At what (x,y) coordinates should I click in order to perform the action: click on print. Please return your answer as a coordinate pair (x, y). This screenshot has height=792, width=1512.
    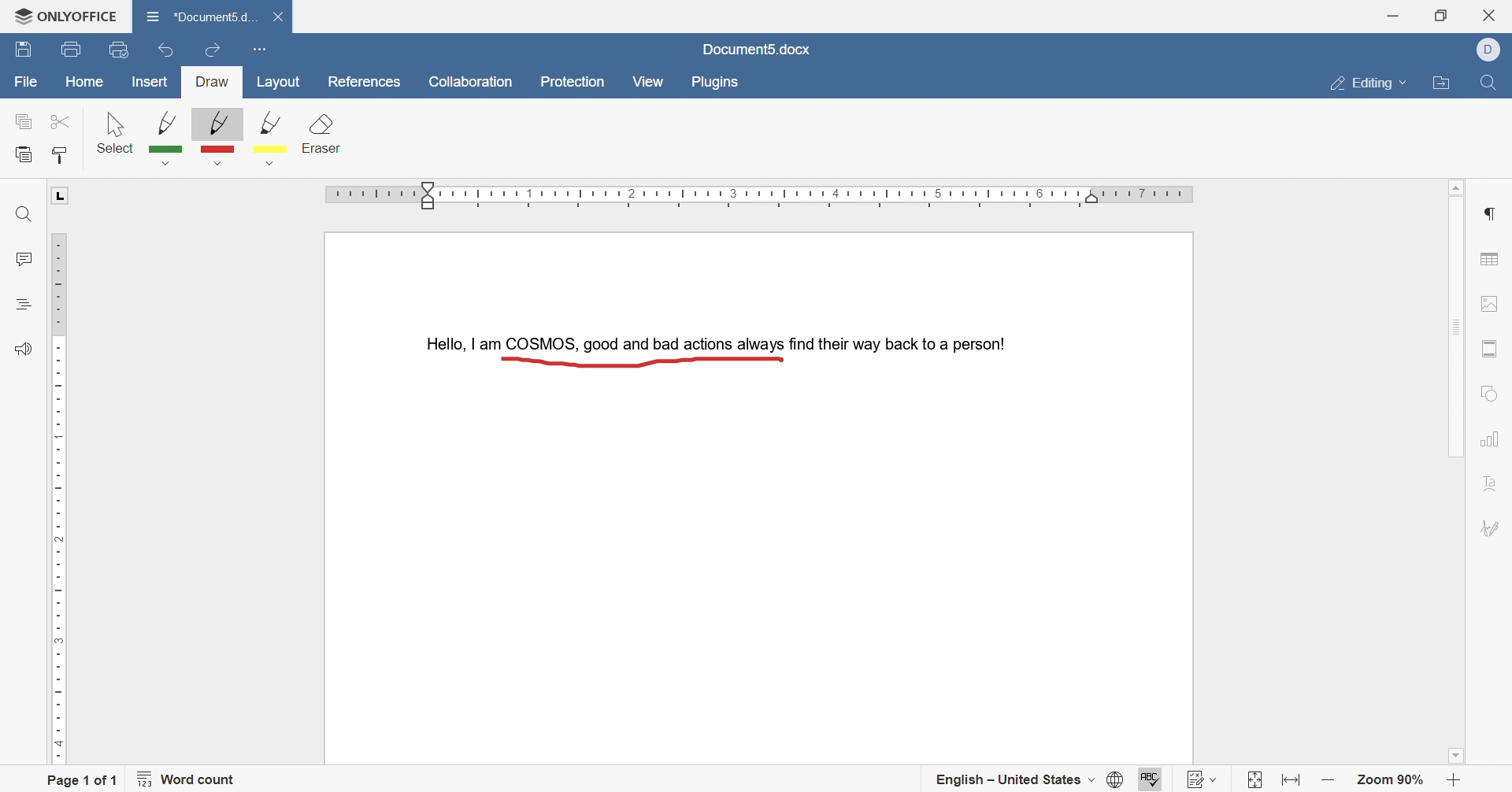
    Looking at the image, I should click on (69, 50).